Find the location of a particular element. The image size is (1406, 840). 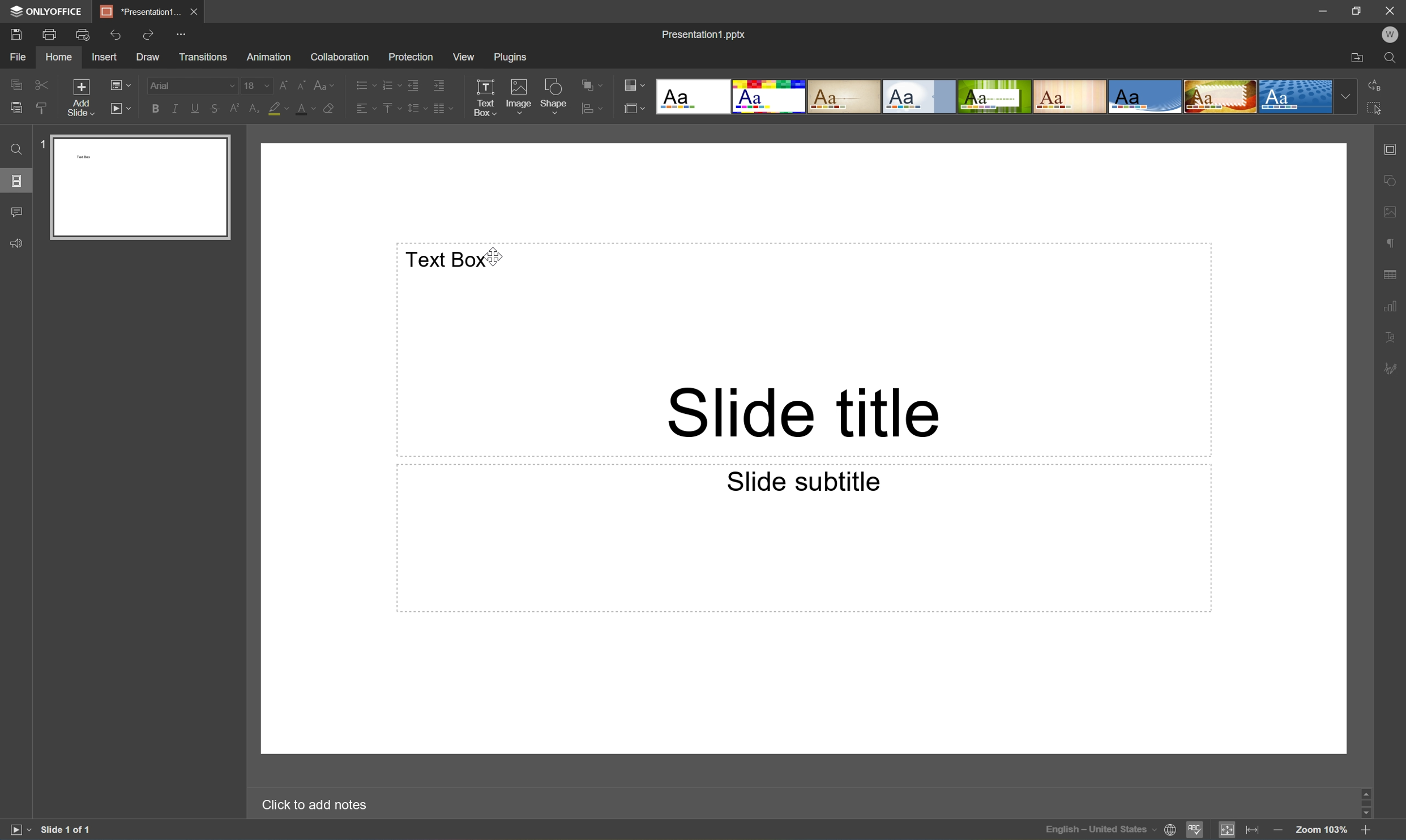

Close is located at coordinates (1392, 10).